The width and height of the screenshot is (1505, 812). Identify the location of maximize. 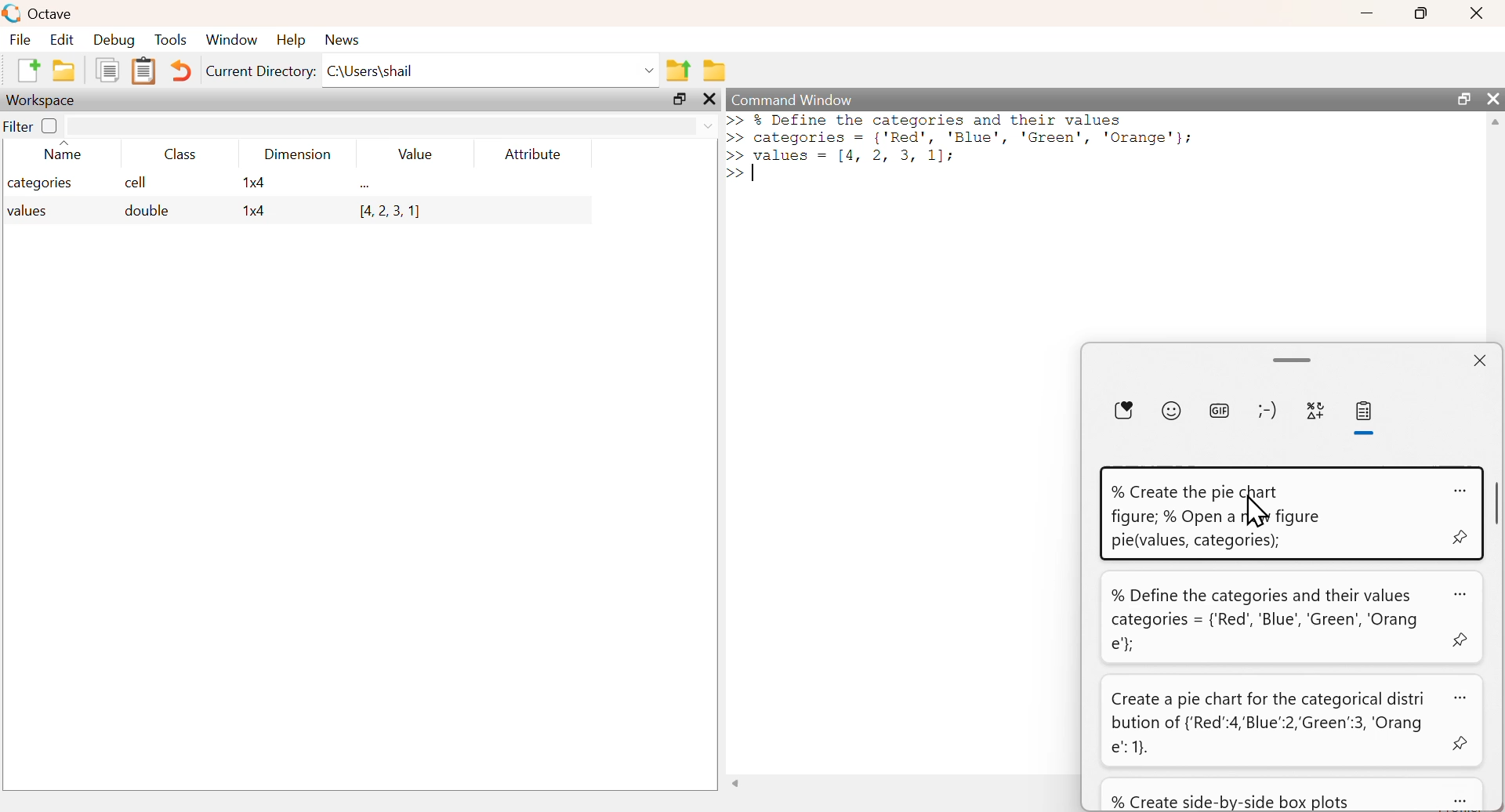
(1420, 13).